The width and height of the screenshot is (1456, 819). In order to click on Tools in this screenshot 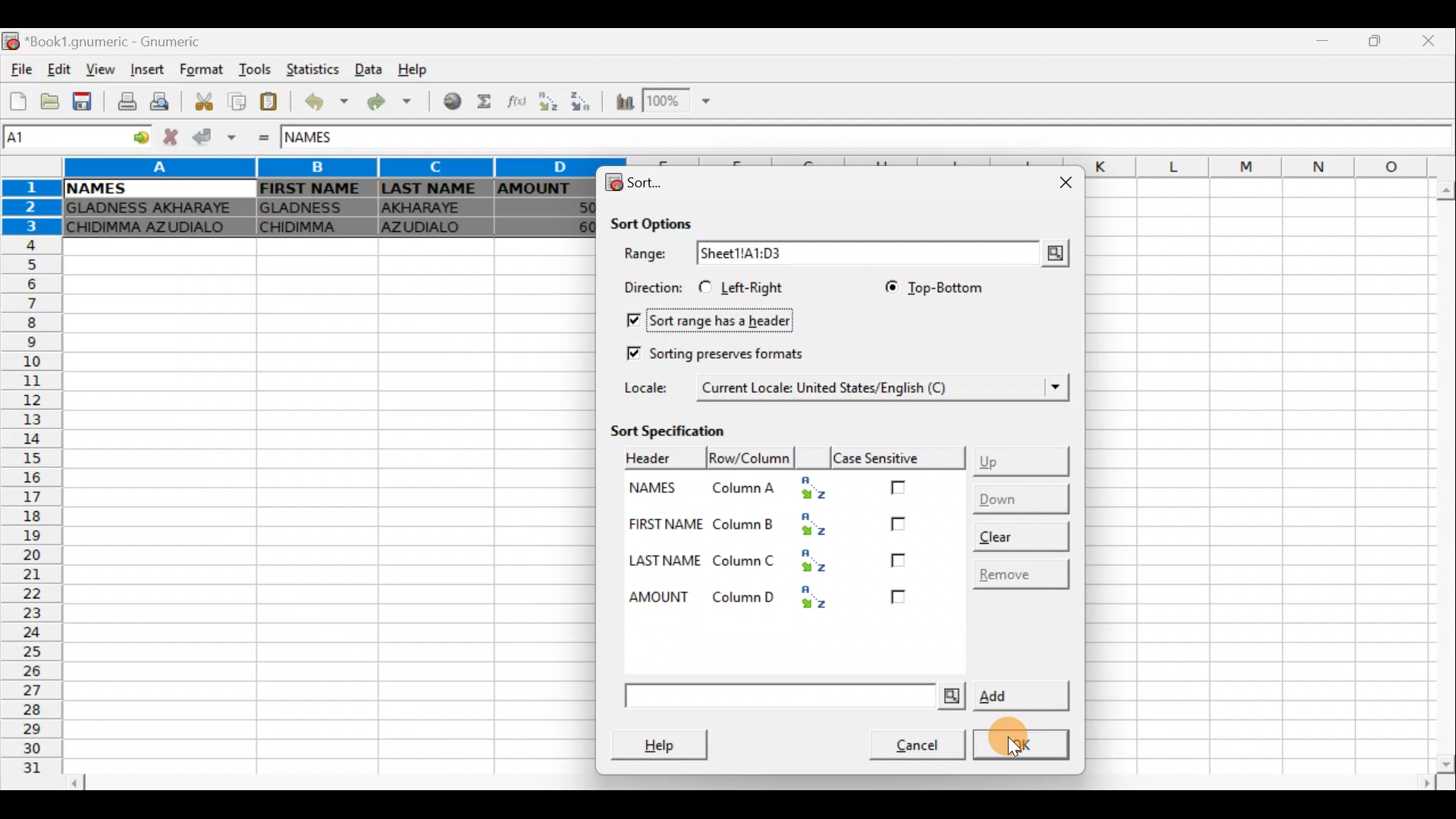, I will do `click(258, 71)`.